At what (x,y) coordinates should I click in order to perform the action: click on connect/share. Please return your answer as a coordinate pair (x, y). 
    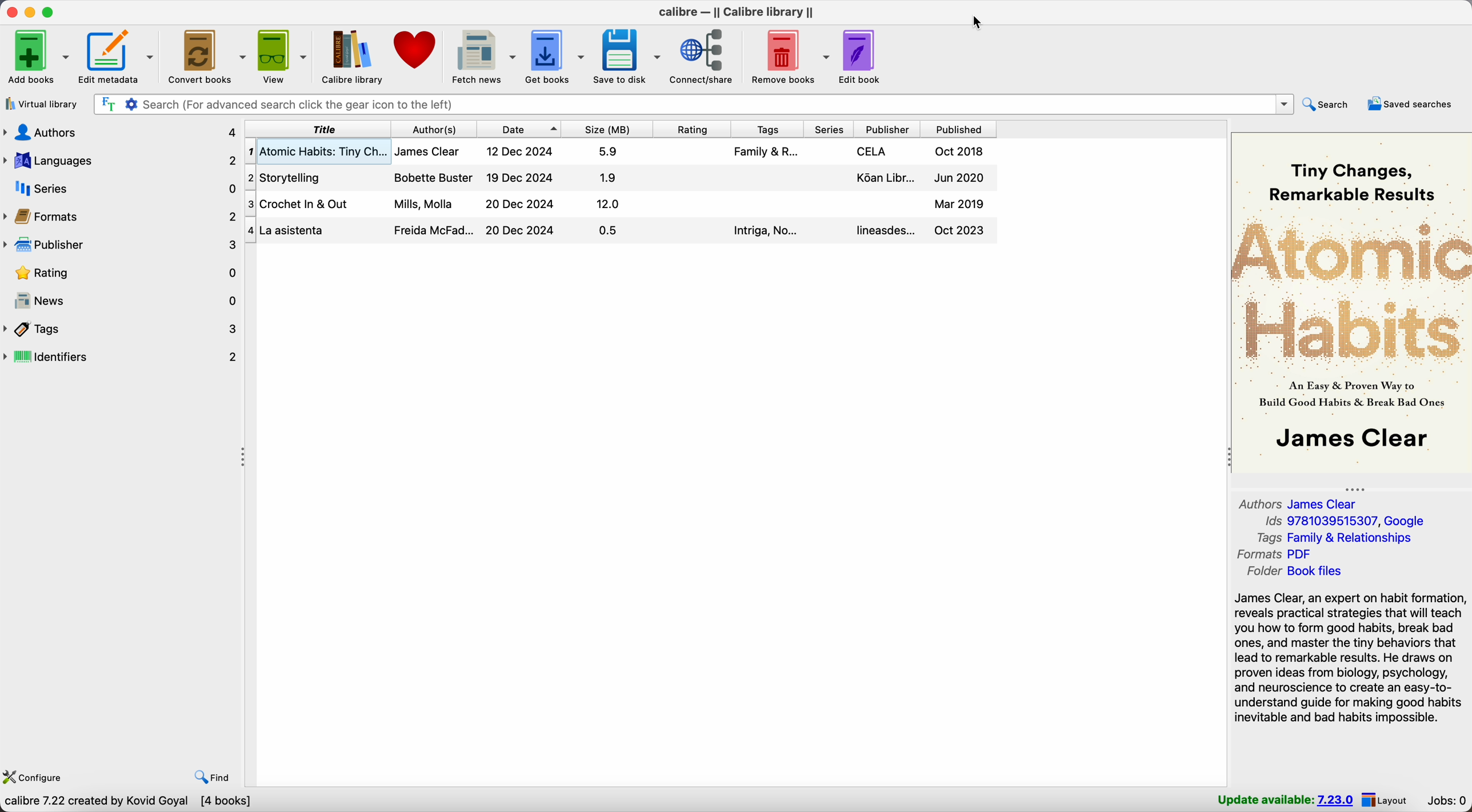
    Looking at the image, I should click on (706, 57).